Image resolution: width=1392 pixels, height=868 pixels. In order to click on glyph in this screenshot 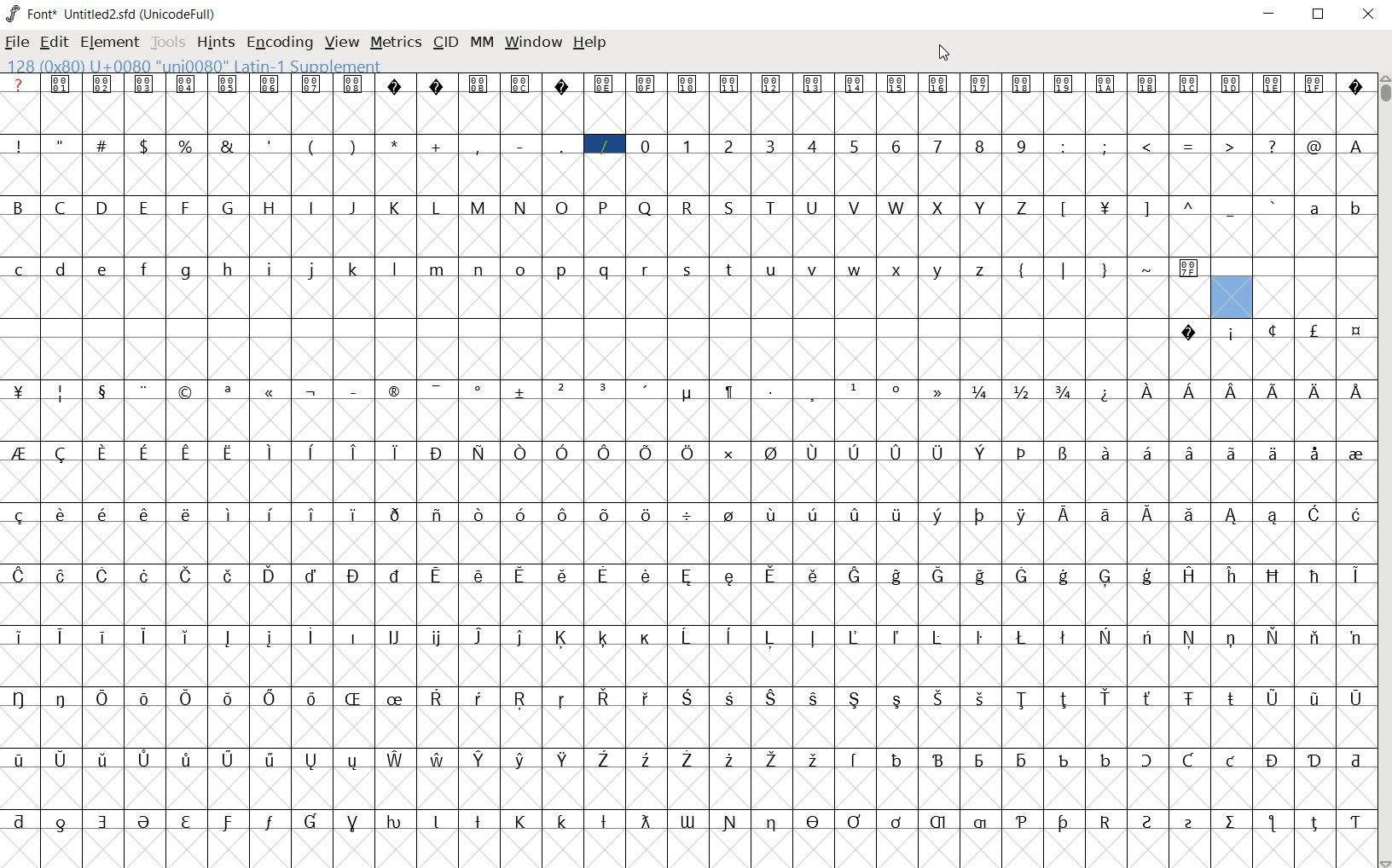, I will do `click(811, 145)`.